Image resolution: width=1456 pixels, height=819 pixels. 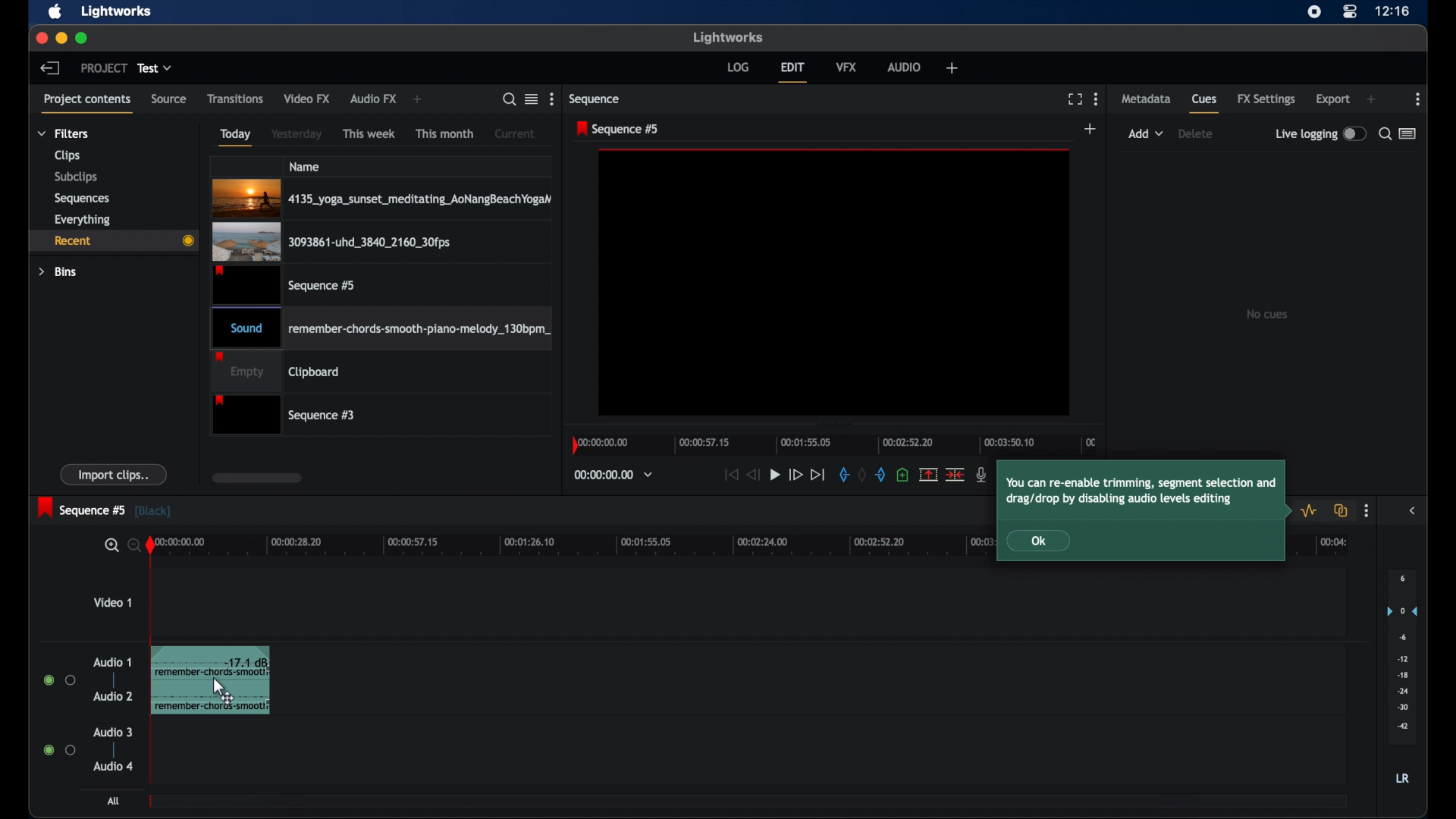 I want to click on Sound remember-chords-smooth-piano-melody_130bpm_, so click(x=379, y=328).